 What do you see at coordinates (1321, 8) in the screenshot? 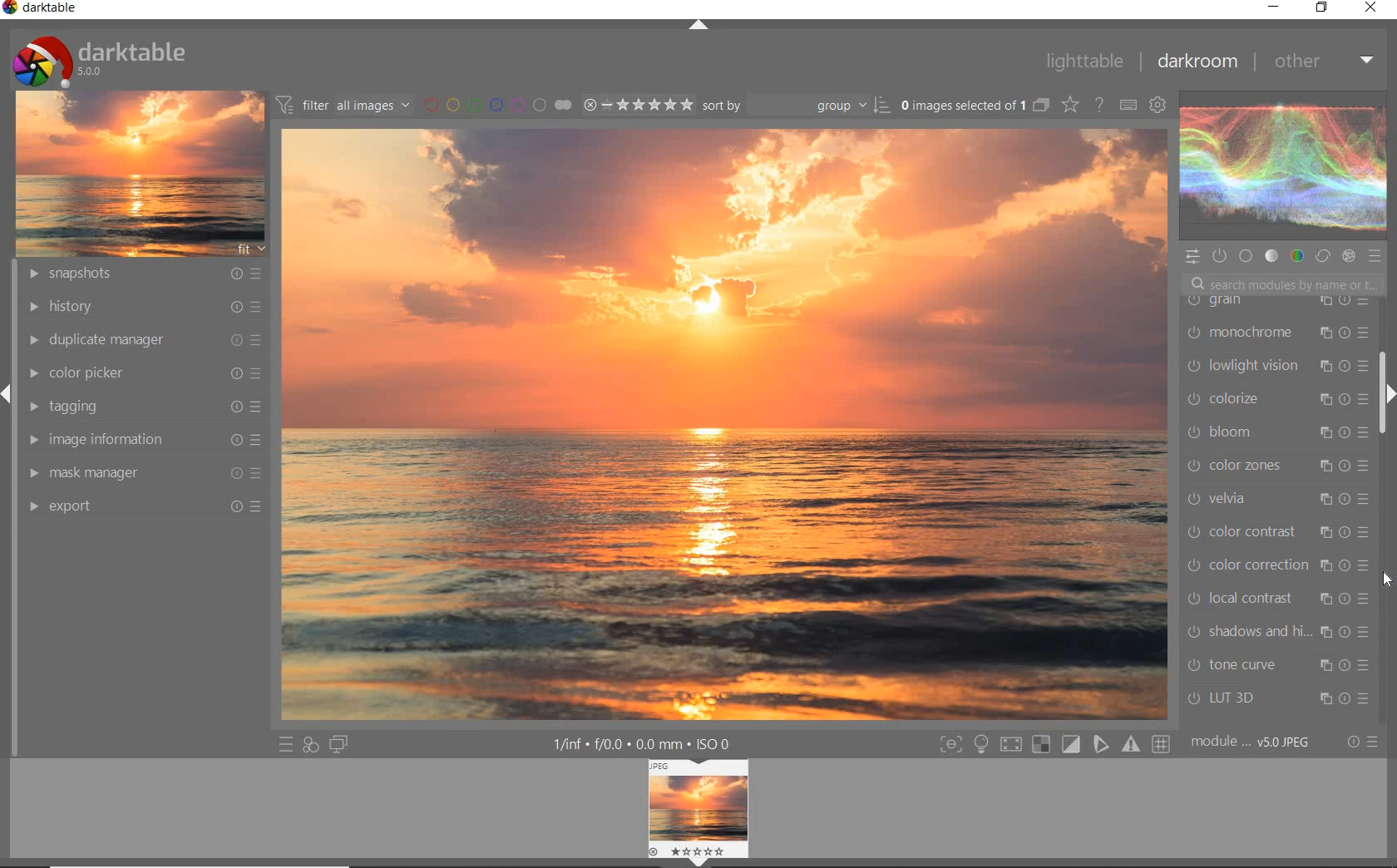
I see `restore` at bounding box center [1321, 8].